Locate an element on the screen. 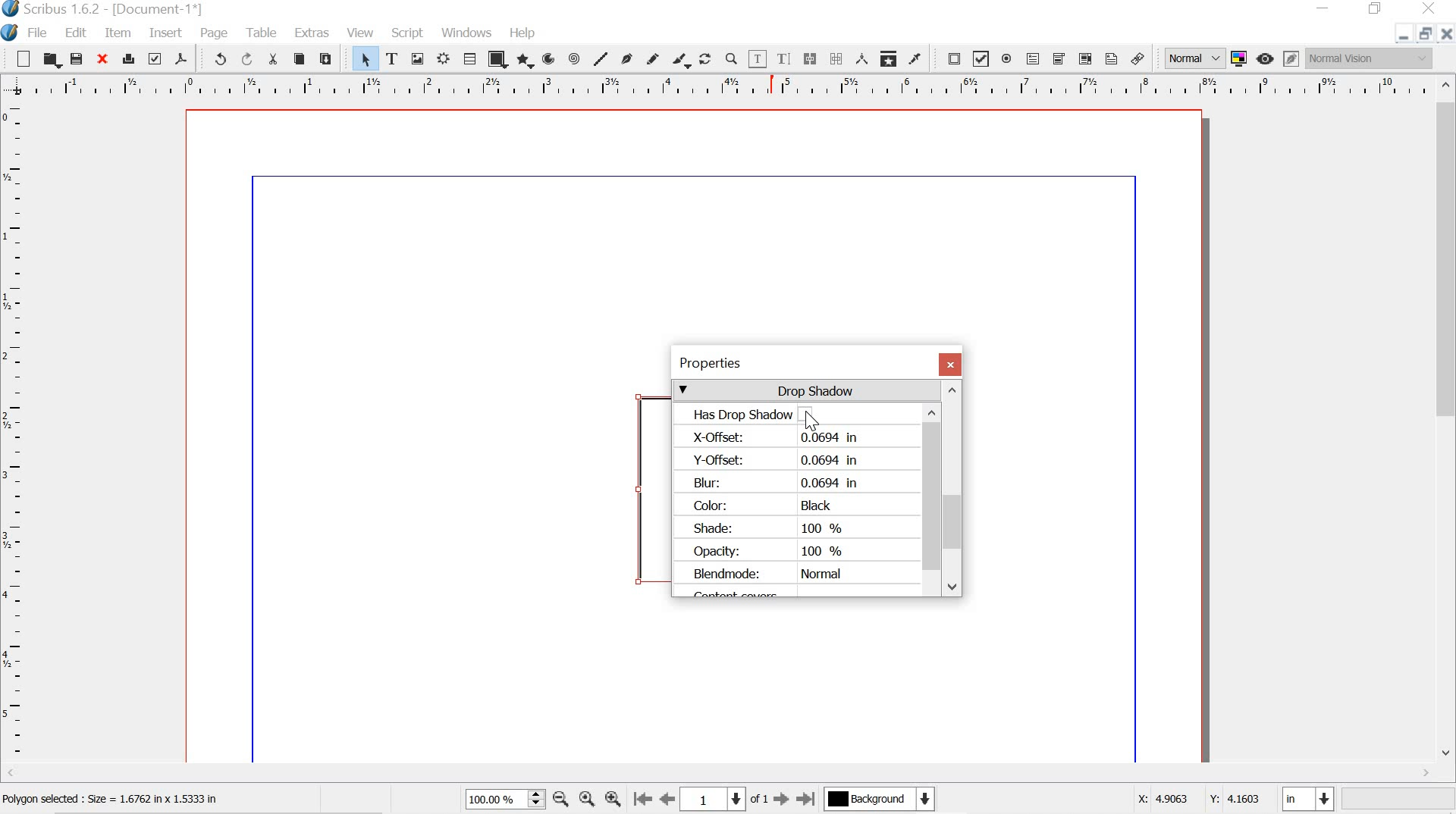 The image size is (1456, 814). 100.00% is located at coordinates (490, 802).